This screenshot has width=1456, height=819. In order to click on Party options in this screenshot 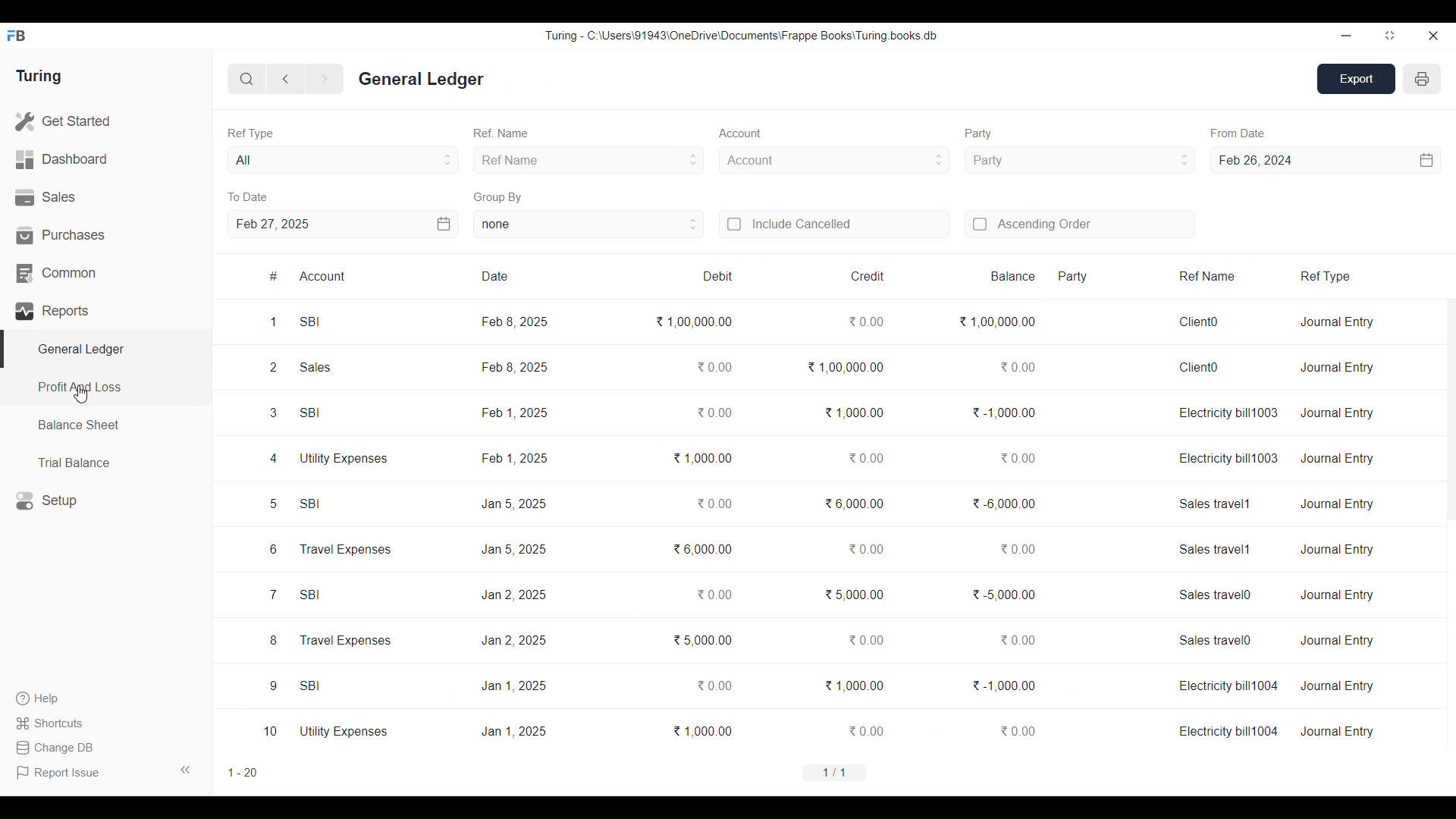, I will do `click(1079, 160)`.